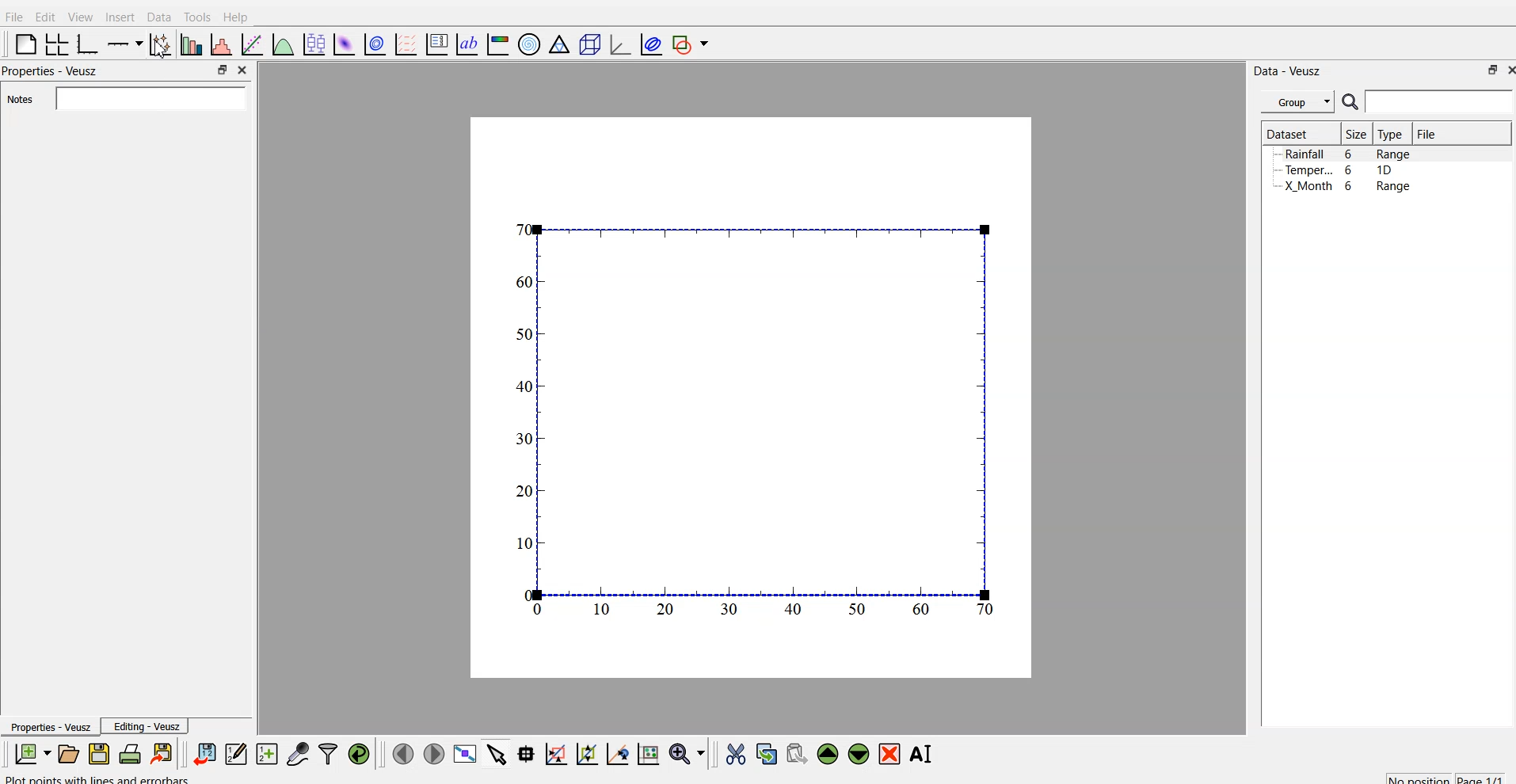 The height and width of the screenshot is (784, 1516). I want to click on Help, so click(235, 17).